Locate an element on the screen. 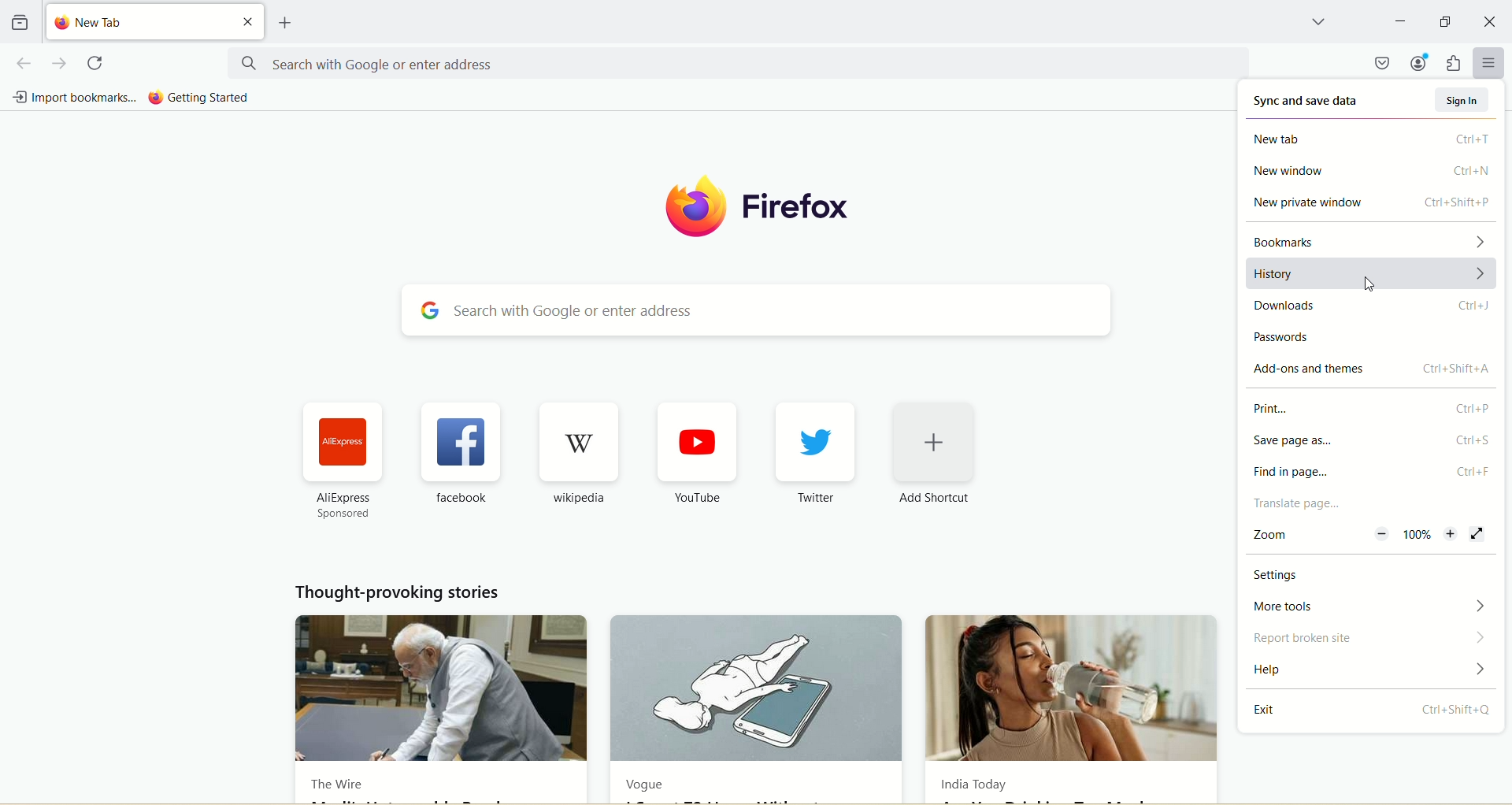 The width and height of the screenshot is (1512, 805). exit is located at coordinates (1369, 711).